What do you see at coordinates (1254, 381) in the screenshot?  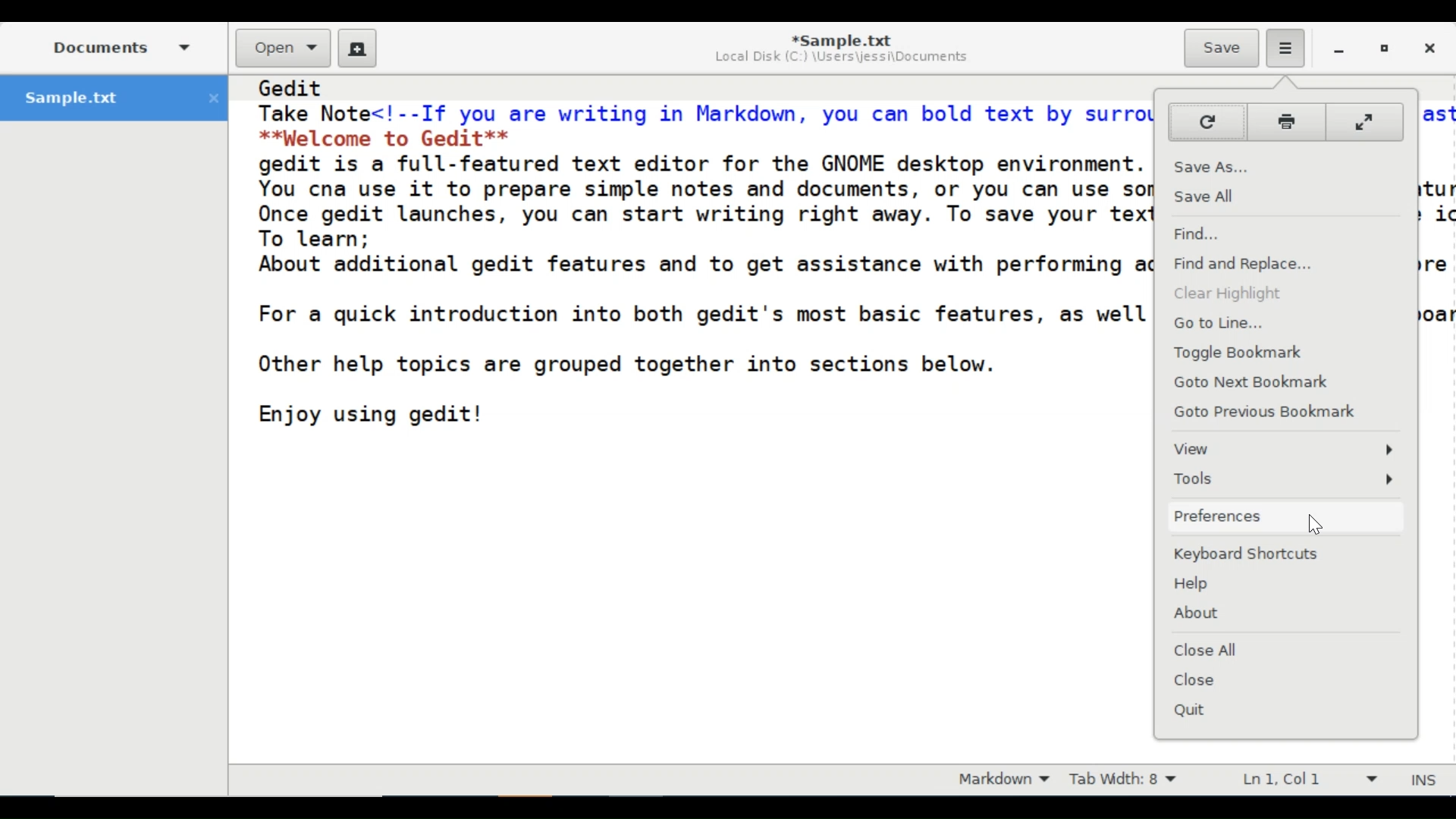 I see `Goto Next Bookmark` at bounding box center [1254, 381].